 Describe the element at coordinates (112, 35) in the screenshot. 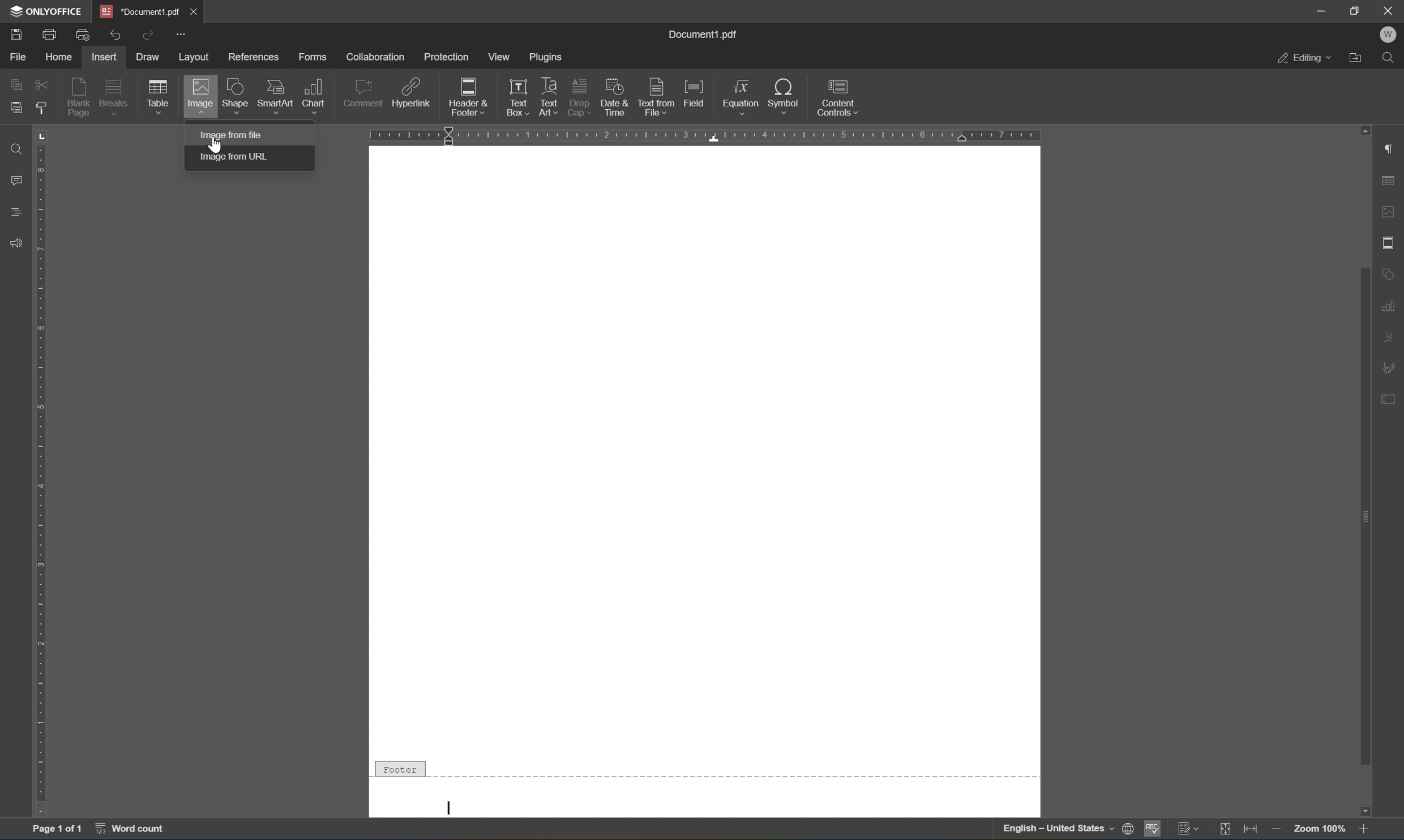

I see `undo` at that location.